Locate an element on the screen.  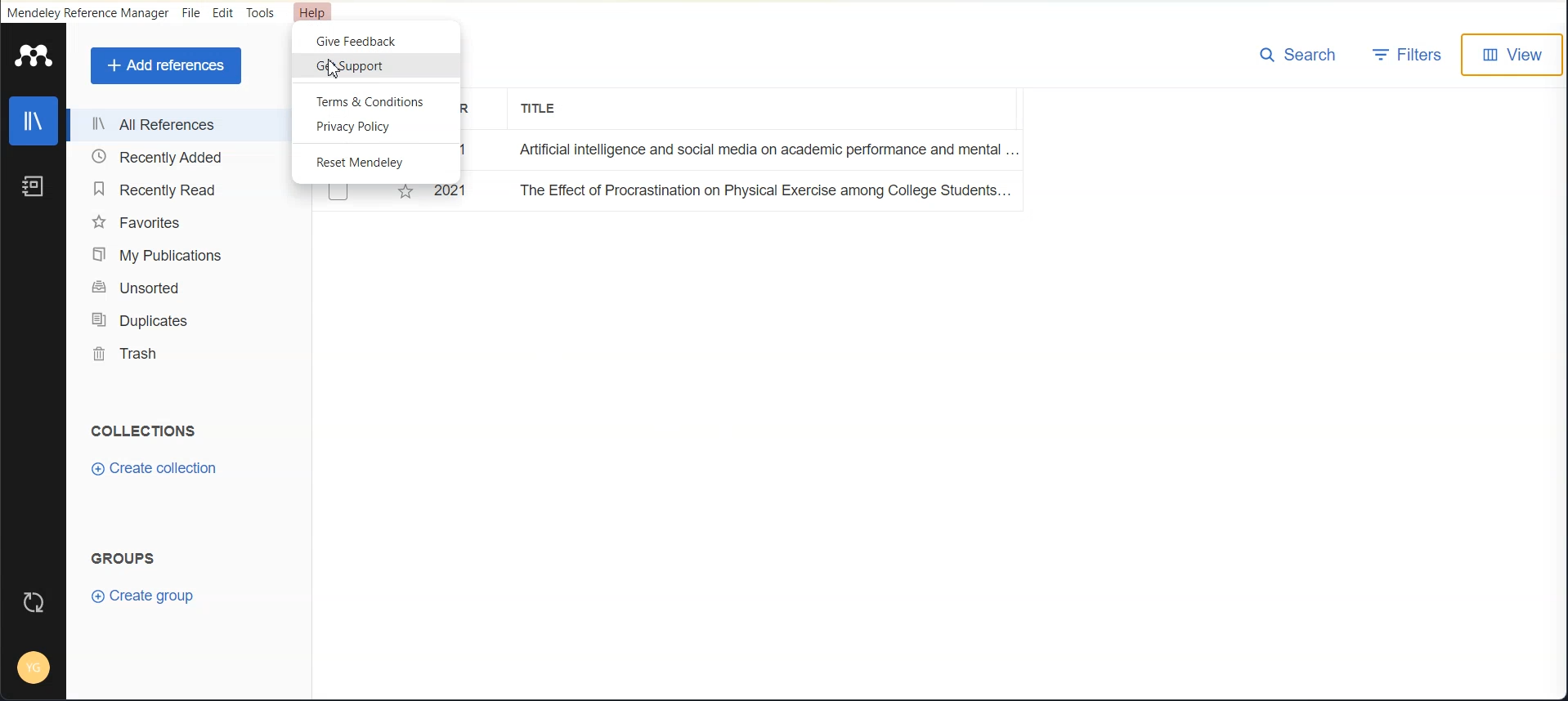
cursor is located at coordinates (335, 72).